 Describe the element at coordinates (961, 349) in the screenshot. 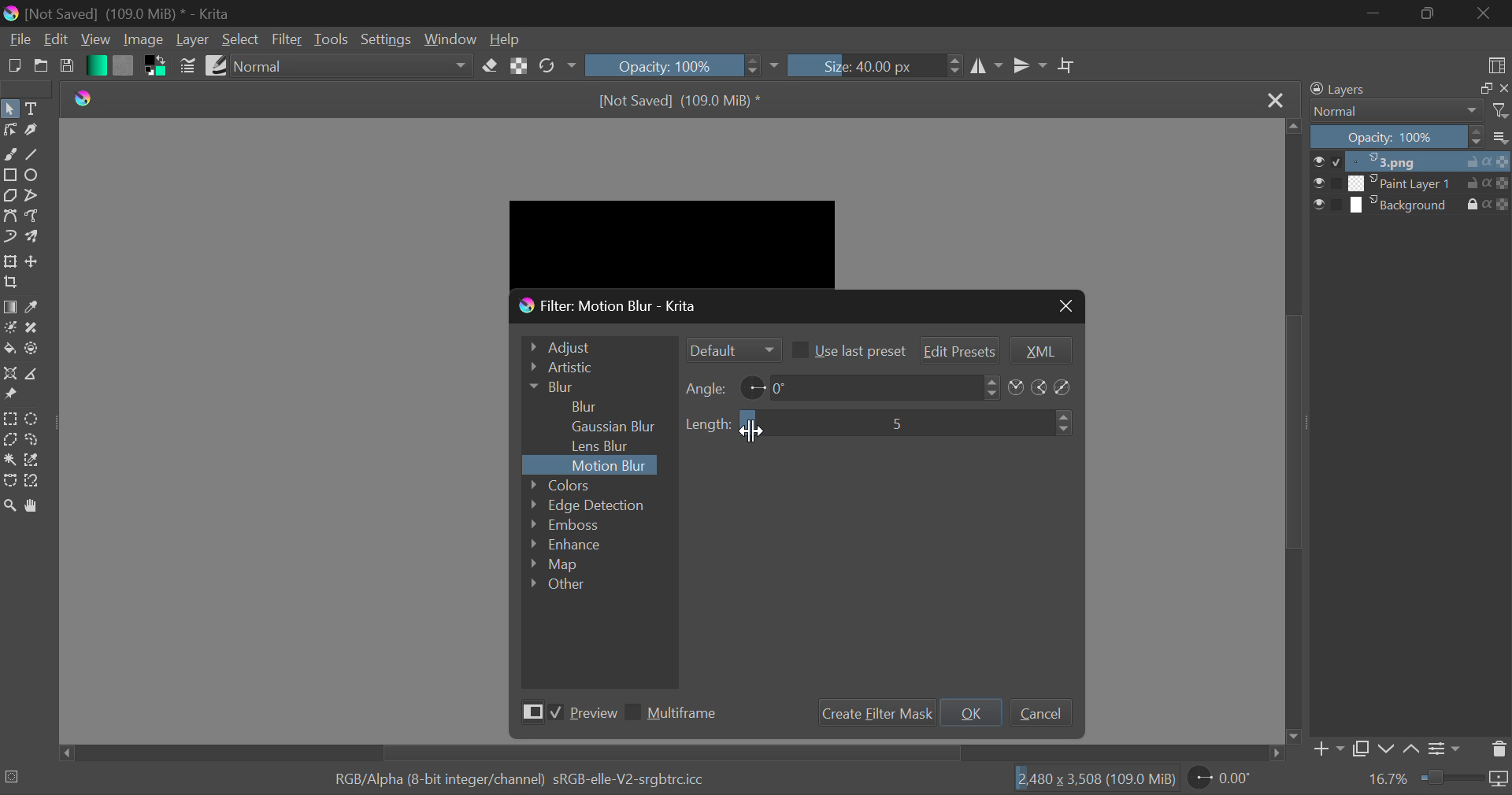

I see `Edit Presets` at that location.